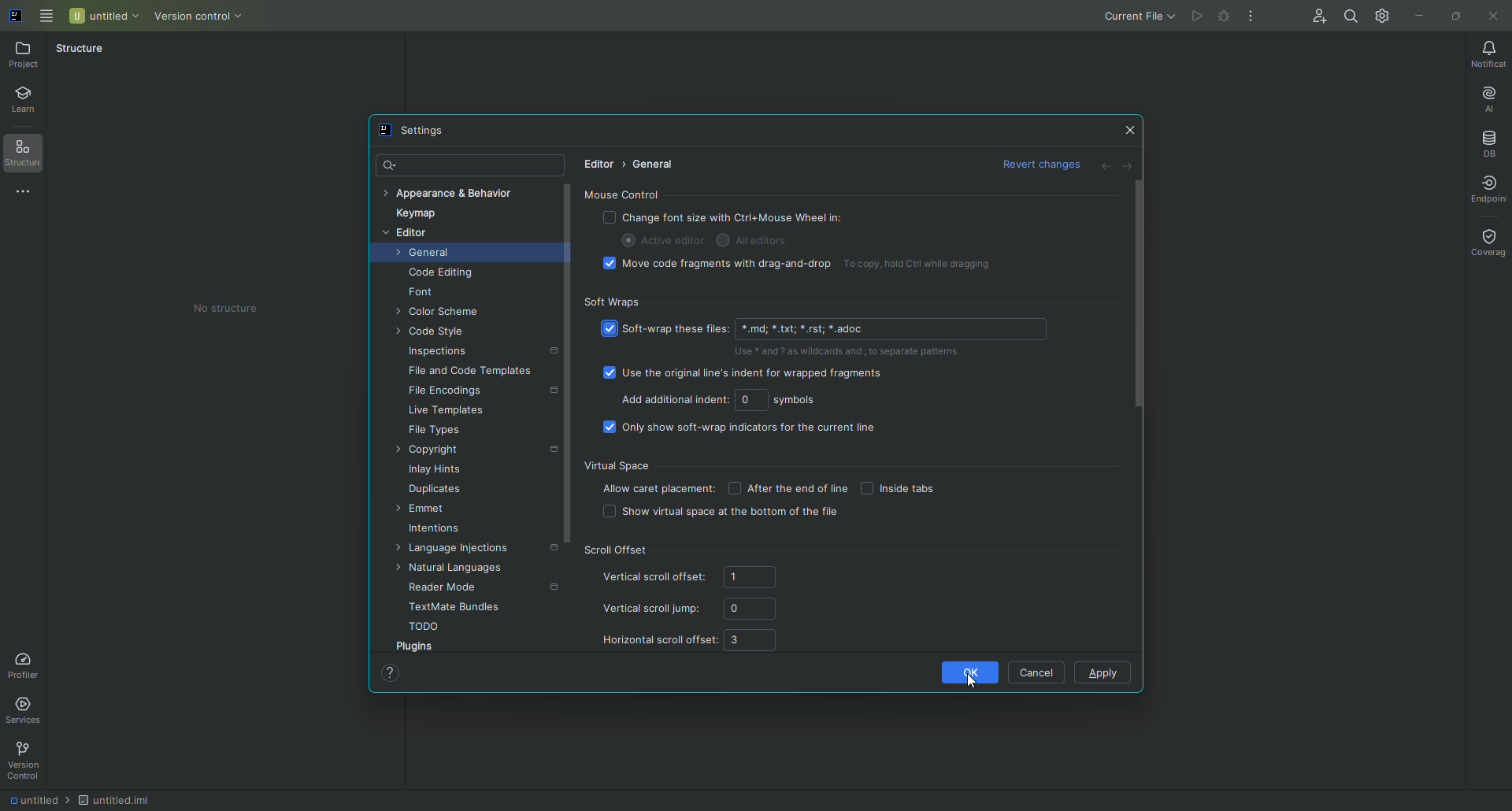 Image resolution: width=1512 pixels, height=811 pixels. What do you see at coordinates (1487, 96) in the screenshot?
I see `AI Assistant` at bounding box center [1487, 96].